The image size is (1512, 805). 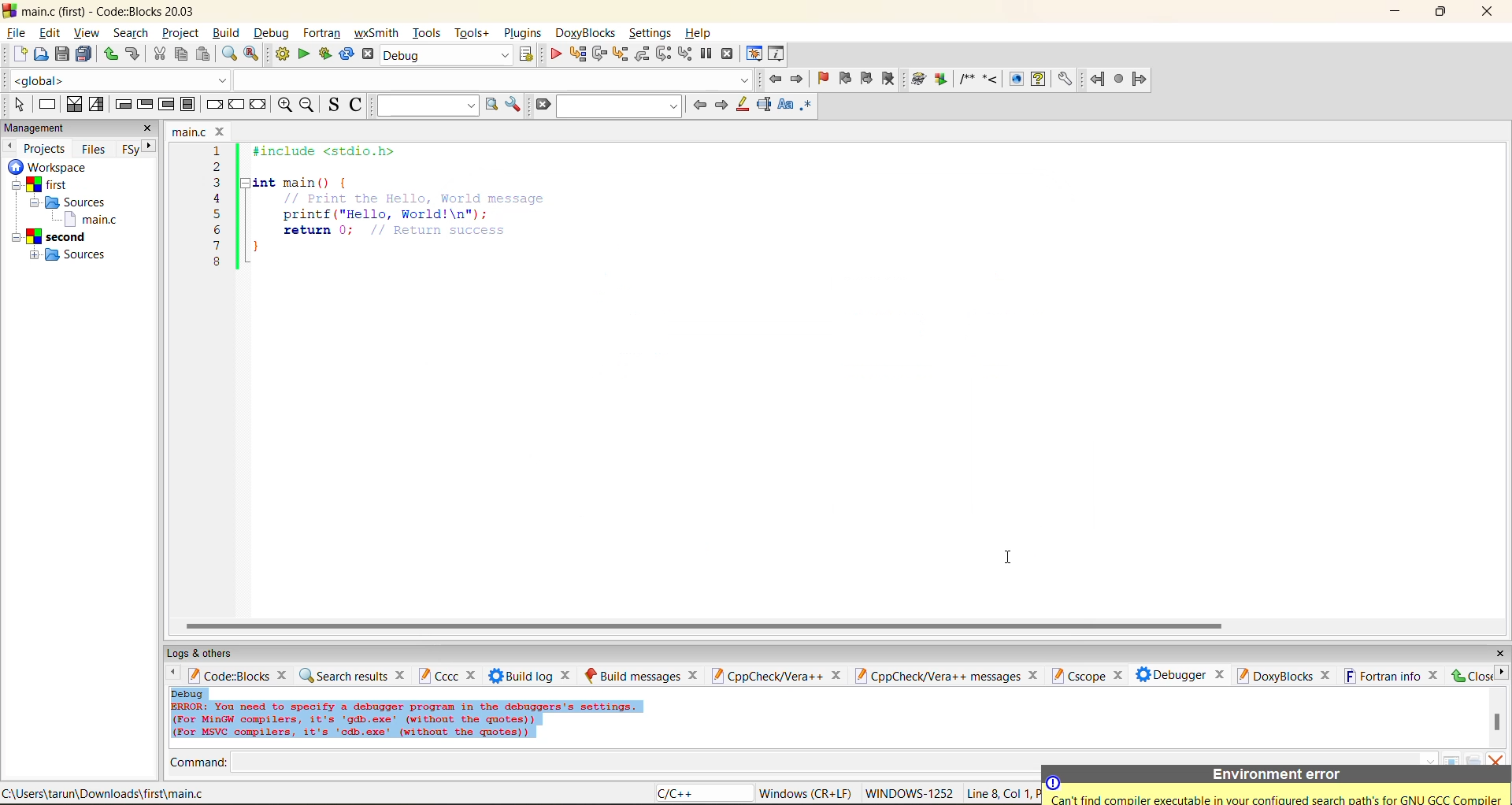 What do you see at coordinates (284, 674) in the screenshot?
I see `close` at bounding box center [284, 674].